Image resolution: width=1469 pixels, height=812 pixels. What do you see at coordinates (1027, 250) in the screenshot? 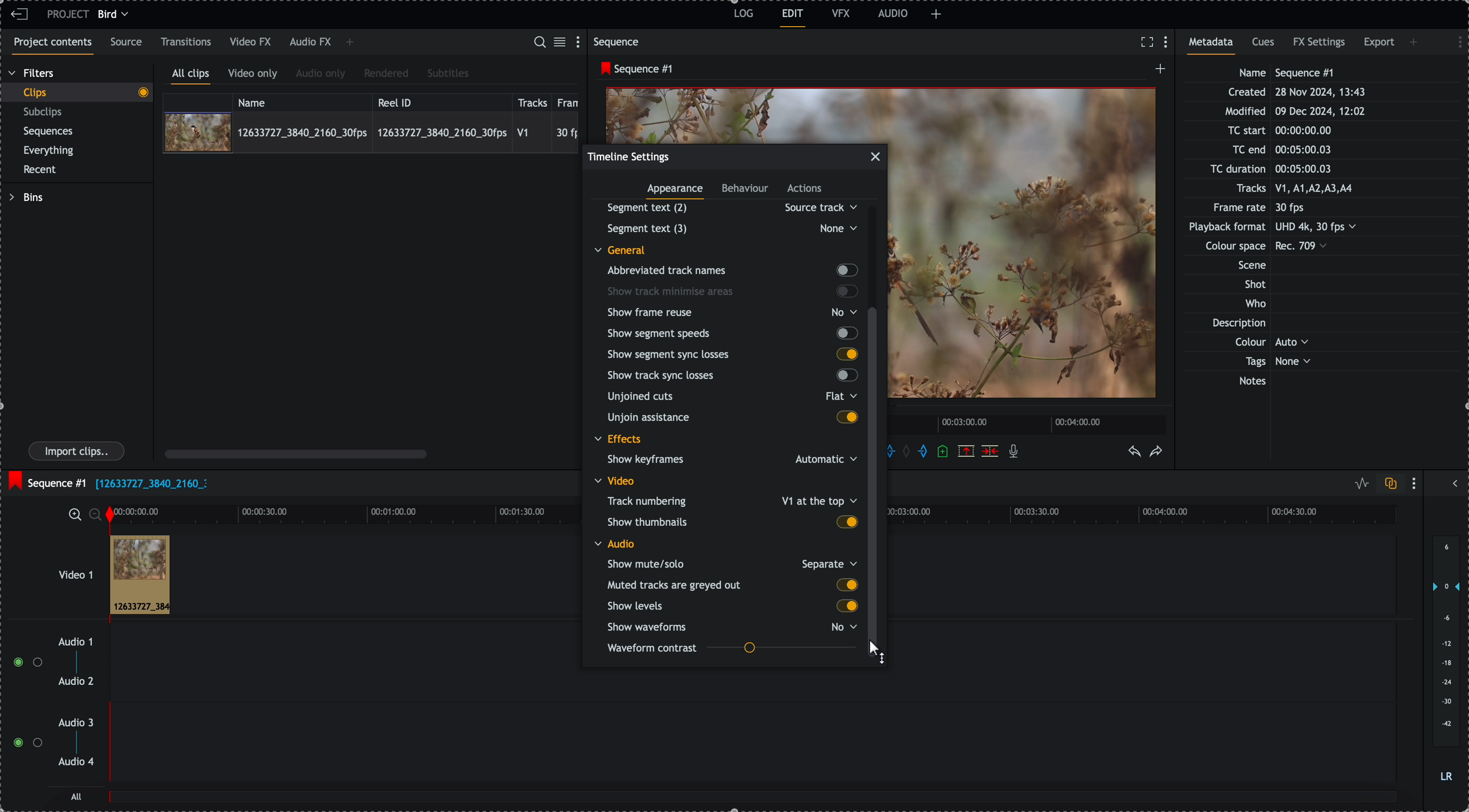
I see `picture` at bounding box center [1027, 250].